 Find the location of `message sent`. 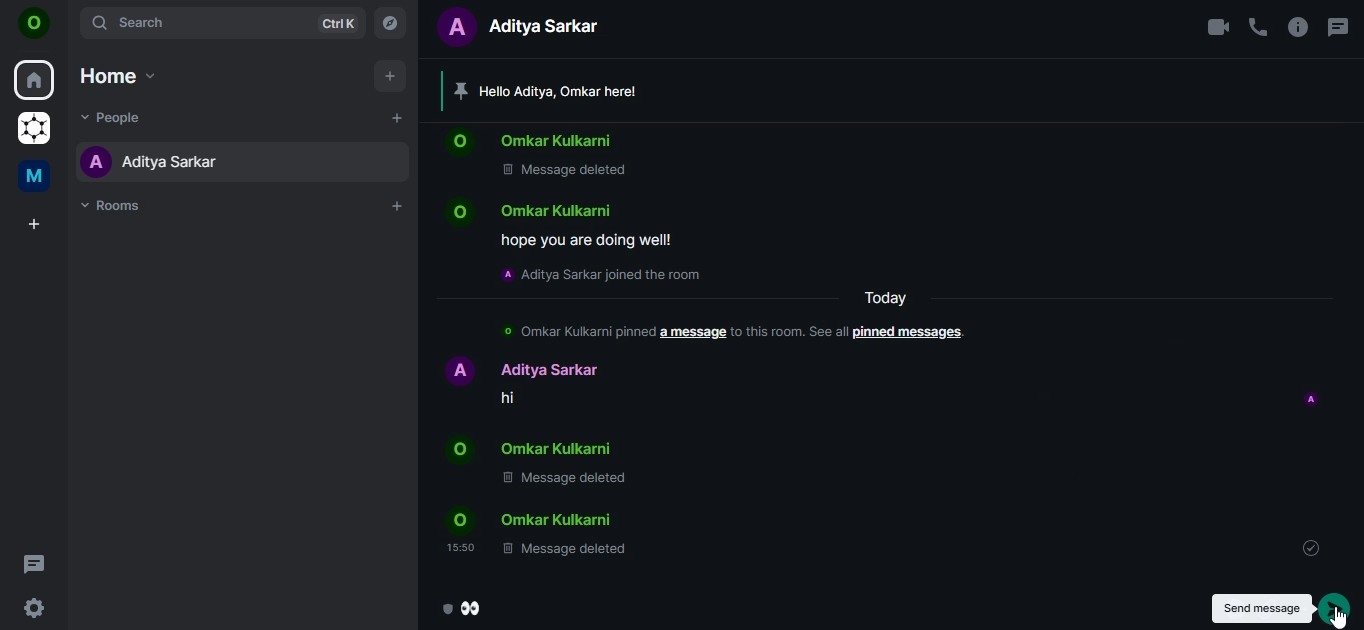

message sent is located at coordinates (1312, 548).